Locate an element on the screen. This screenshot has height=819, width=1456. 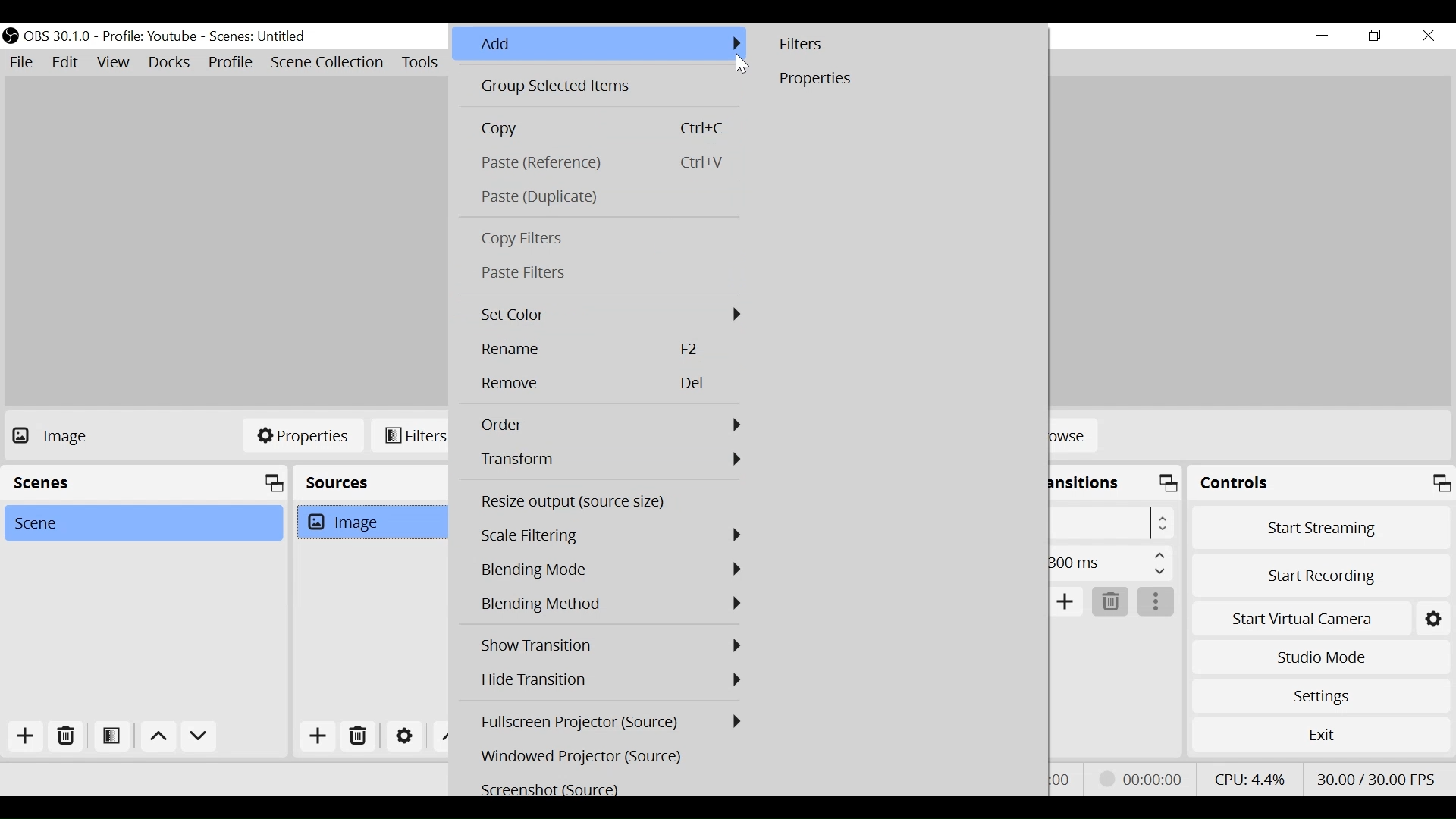
Transform is located at coordinates (610, 459).